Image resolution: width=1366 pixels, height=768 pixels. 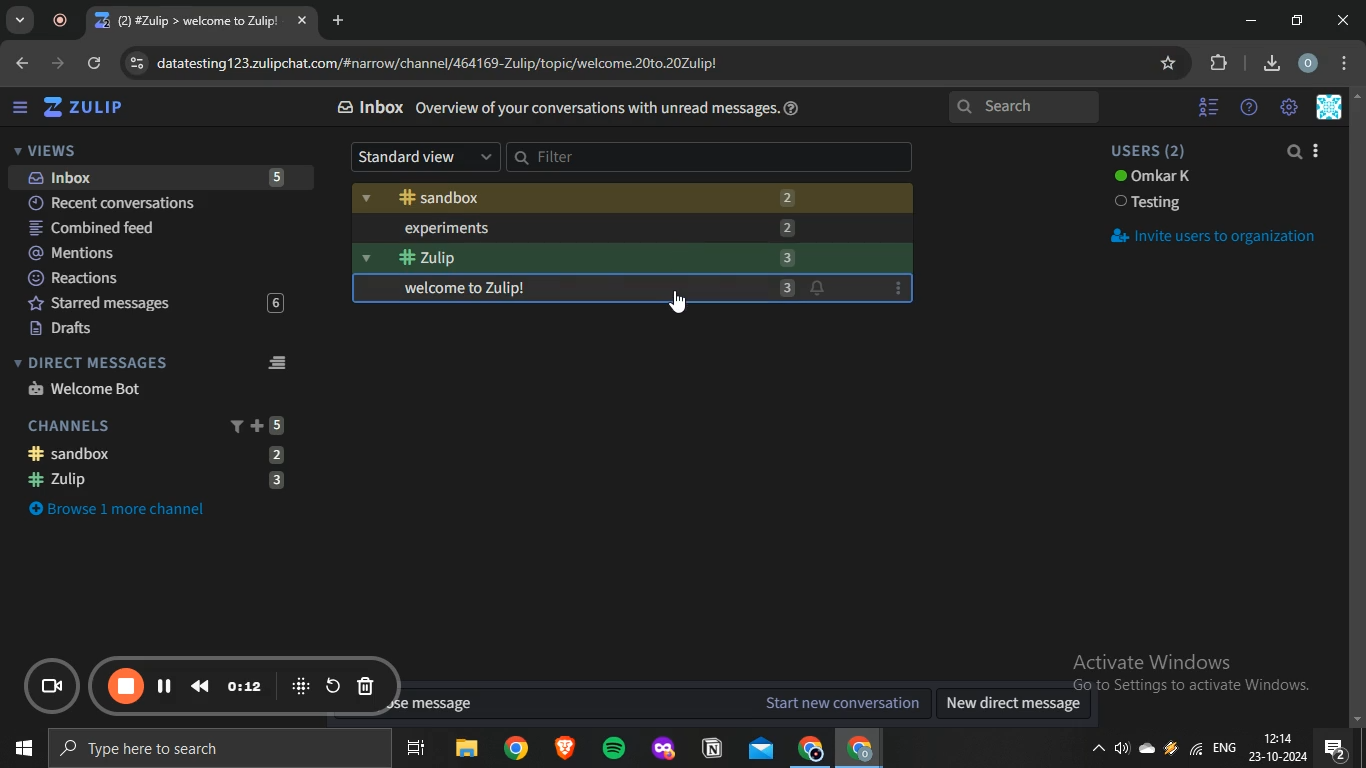 I want to click on restore window, so click(x=1299, y=20).